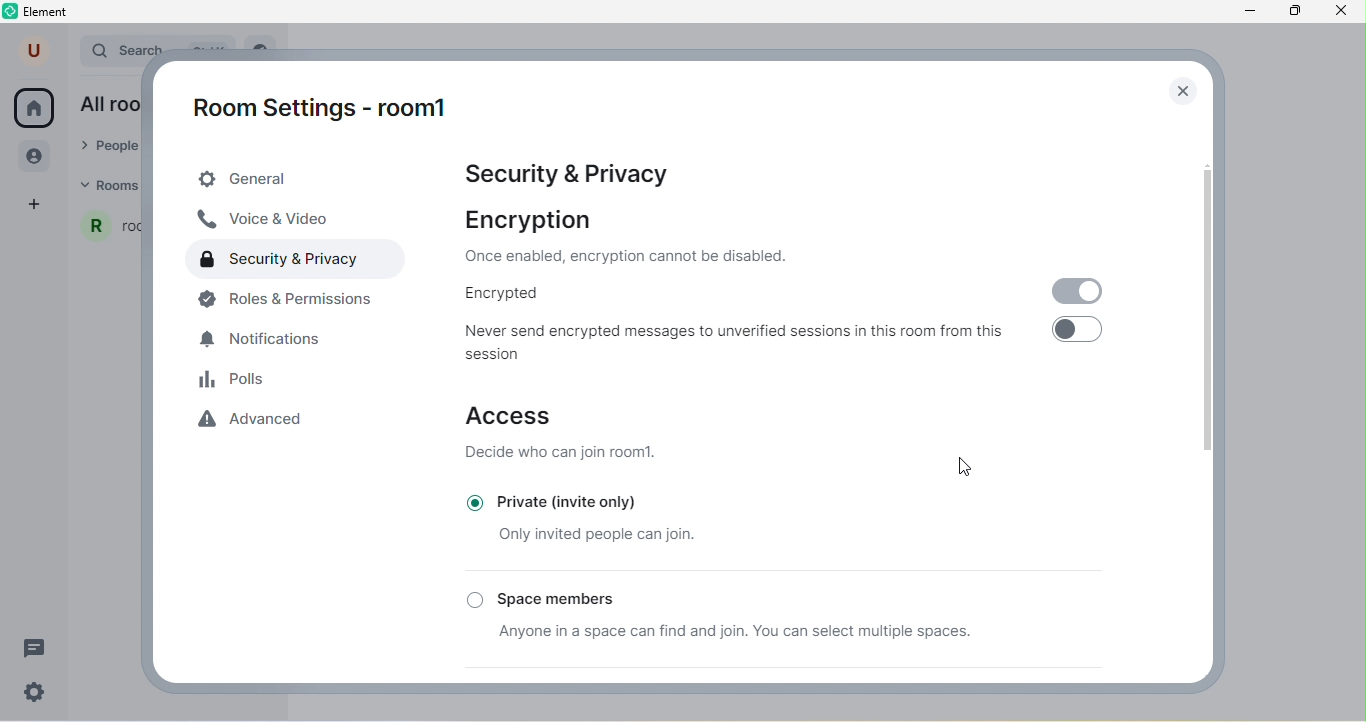 The height and width of the screenshot is (722, 1366). I want to click on encryption, so click(534, 221).